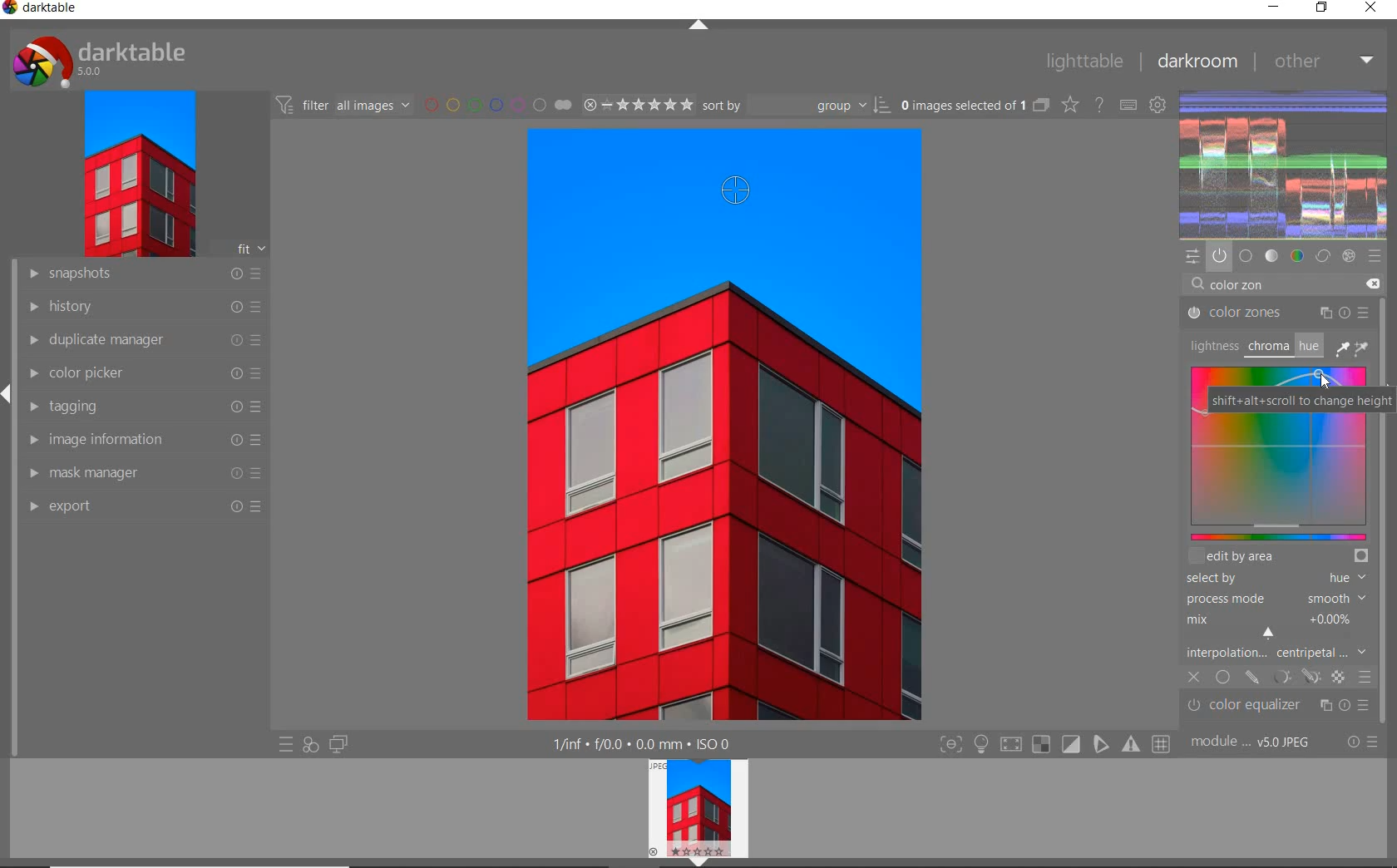 This screenshot has height=868, width=1397. What do you see at coordinates (140, 342) in the screenshot?
I see `duplicate manager` at bounding box center [140, 342].